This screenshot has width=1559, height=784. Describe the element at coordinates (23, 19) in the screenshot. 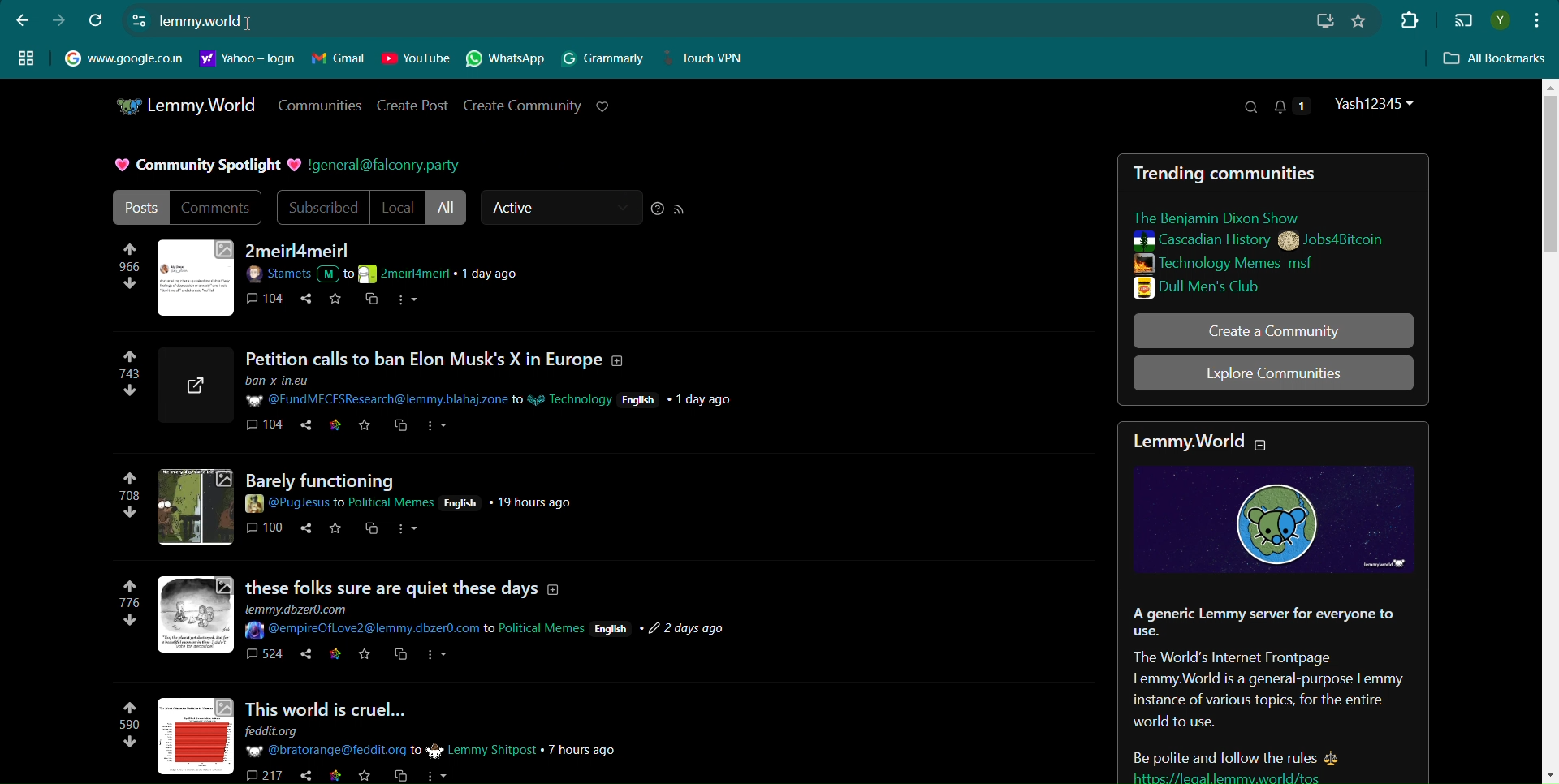

I see `back` at that location.